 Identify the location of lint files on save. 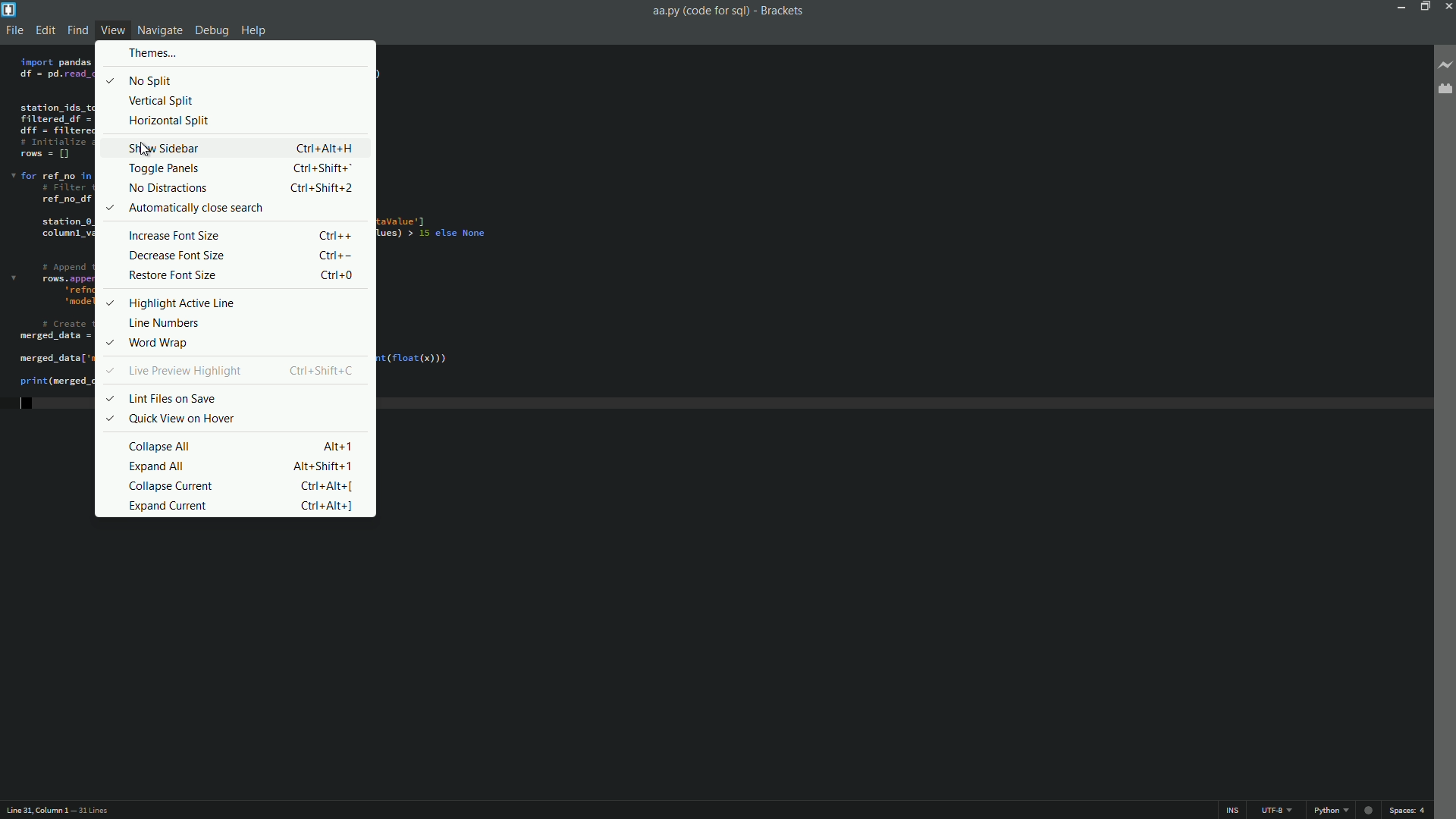
(162, 398).